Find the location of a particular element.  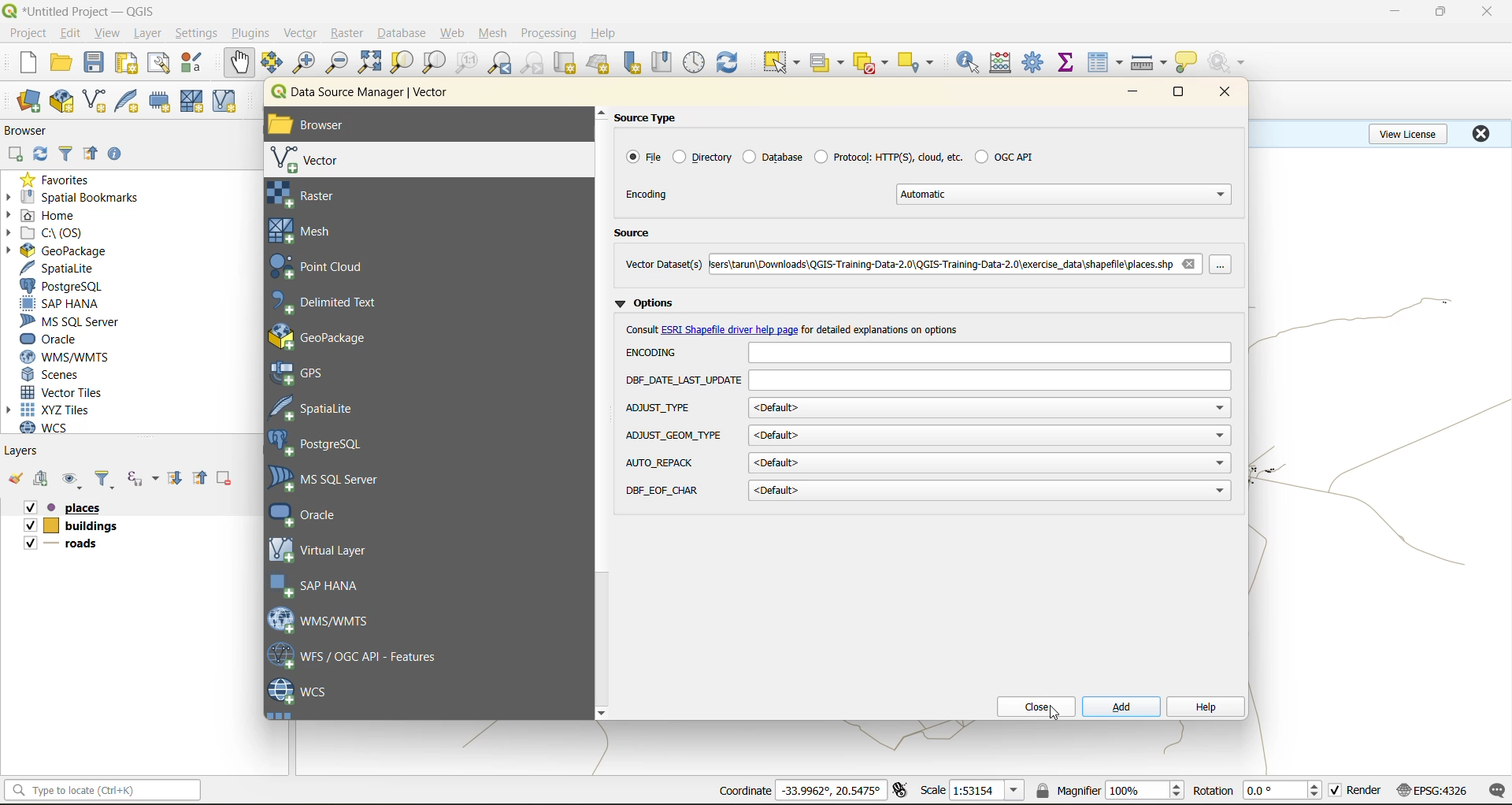

minimize is located at coordinates (1132, 93).